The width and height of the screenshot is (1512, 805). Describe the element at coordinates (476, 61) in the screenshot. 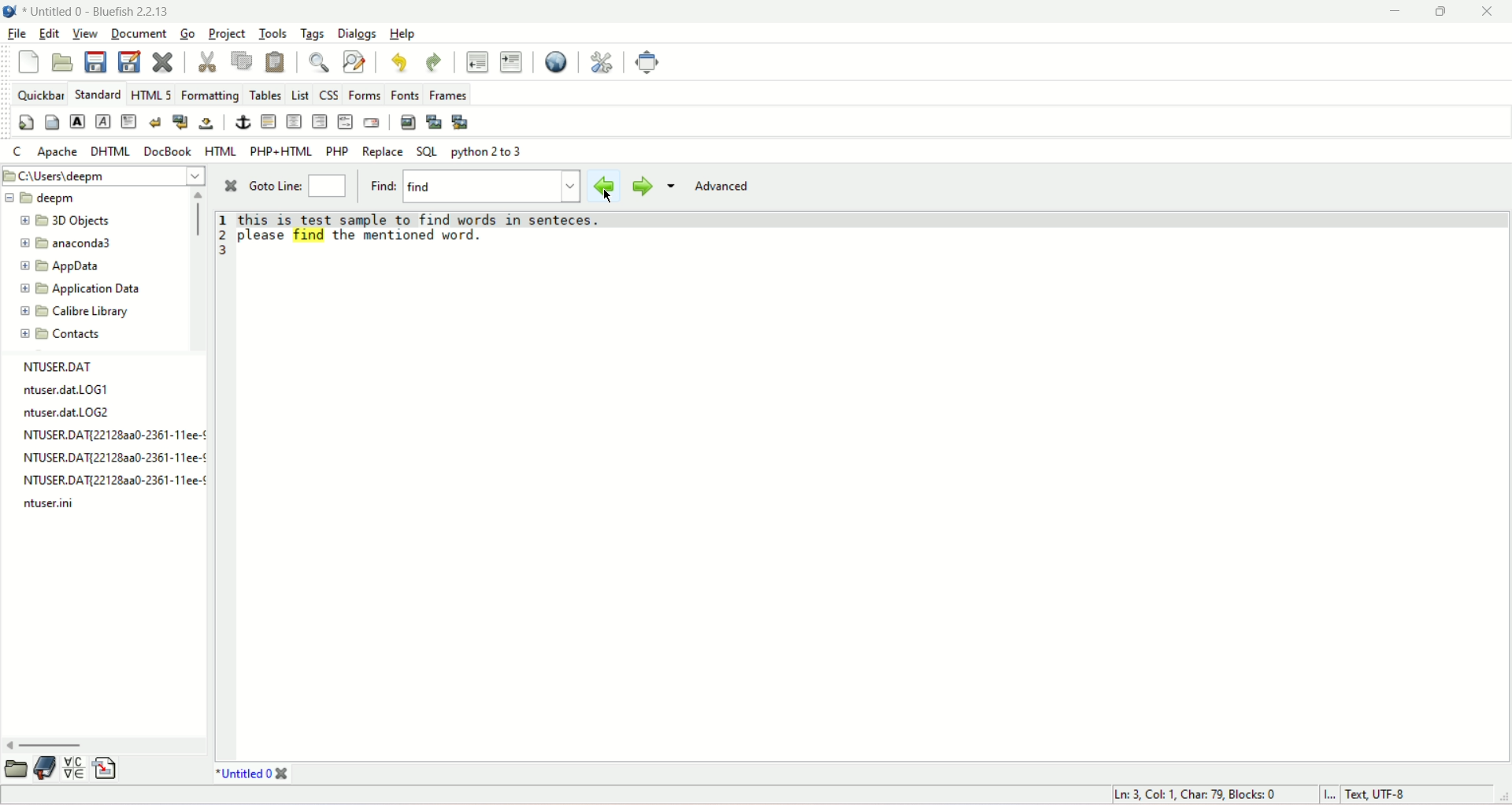

I see `unindent` at that location.